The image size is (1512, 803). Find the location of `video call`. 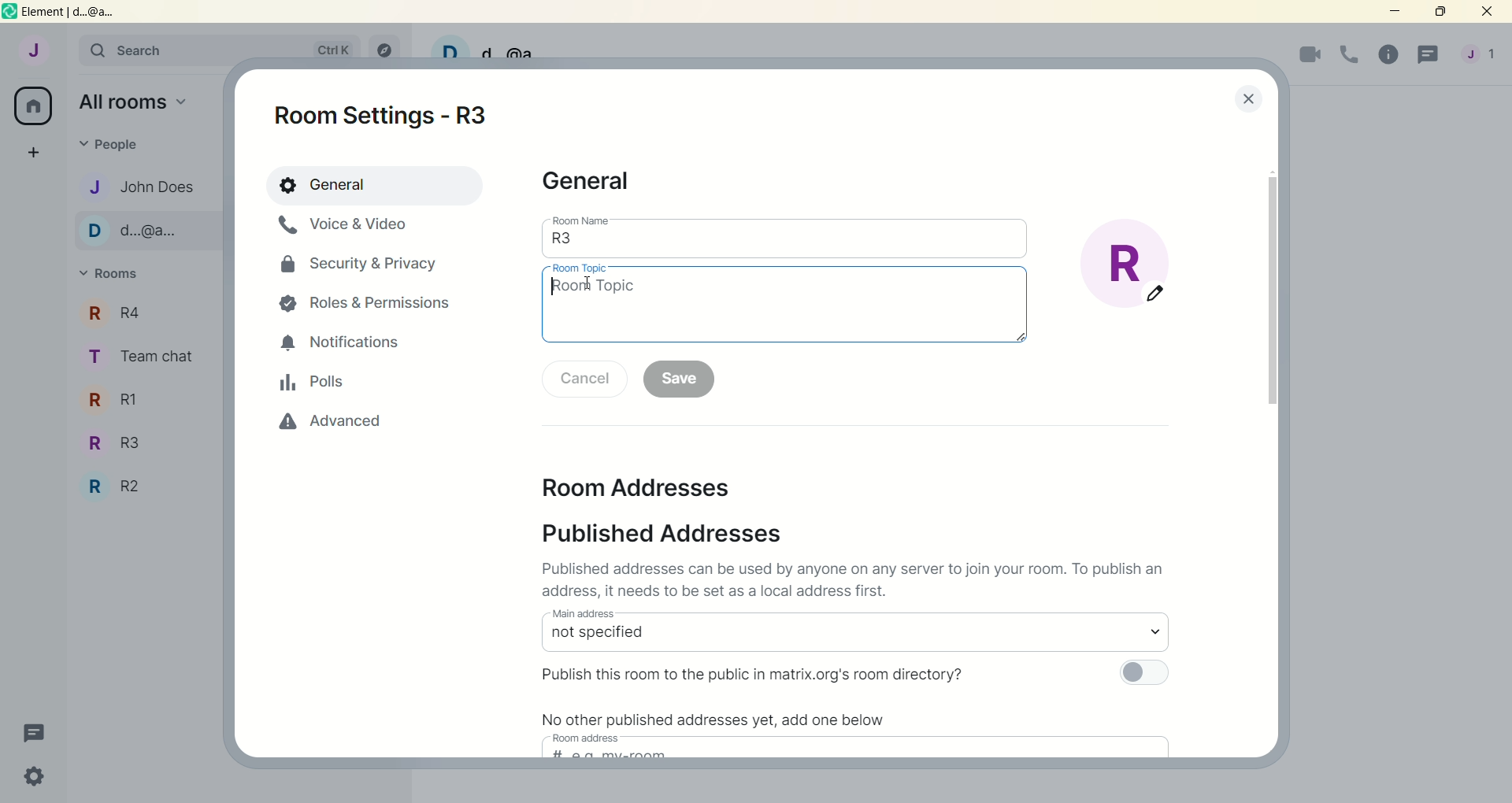

video call is located at coordinates (1306, 55).